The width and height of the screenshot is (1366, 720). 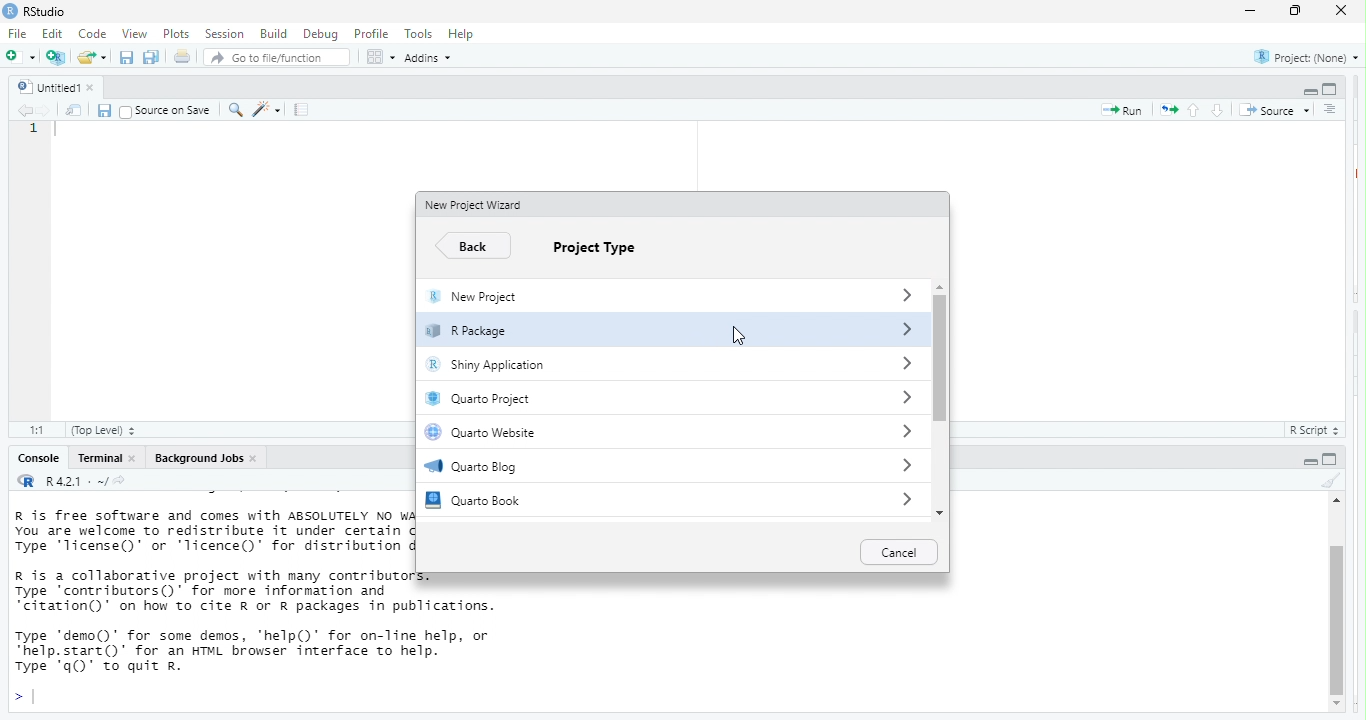 I want to click on dropdown, so click(x=905, y=467).